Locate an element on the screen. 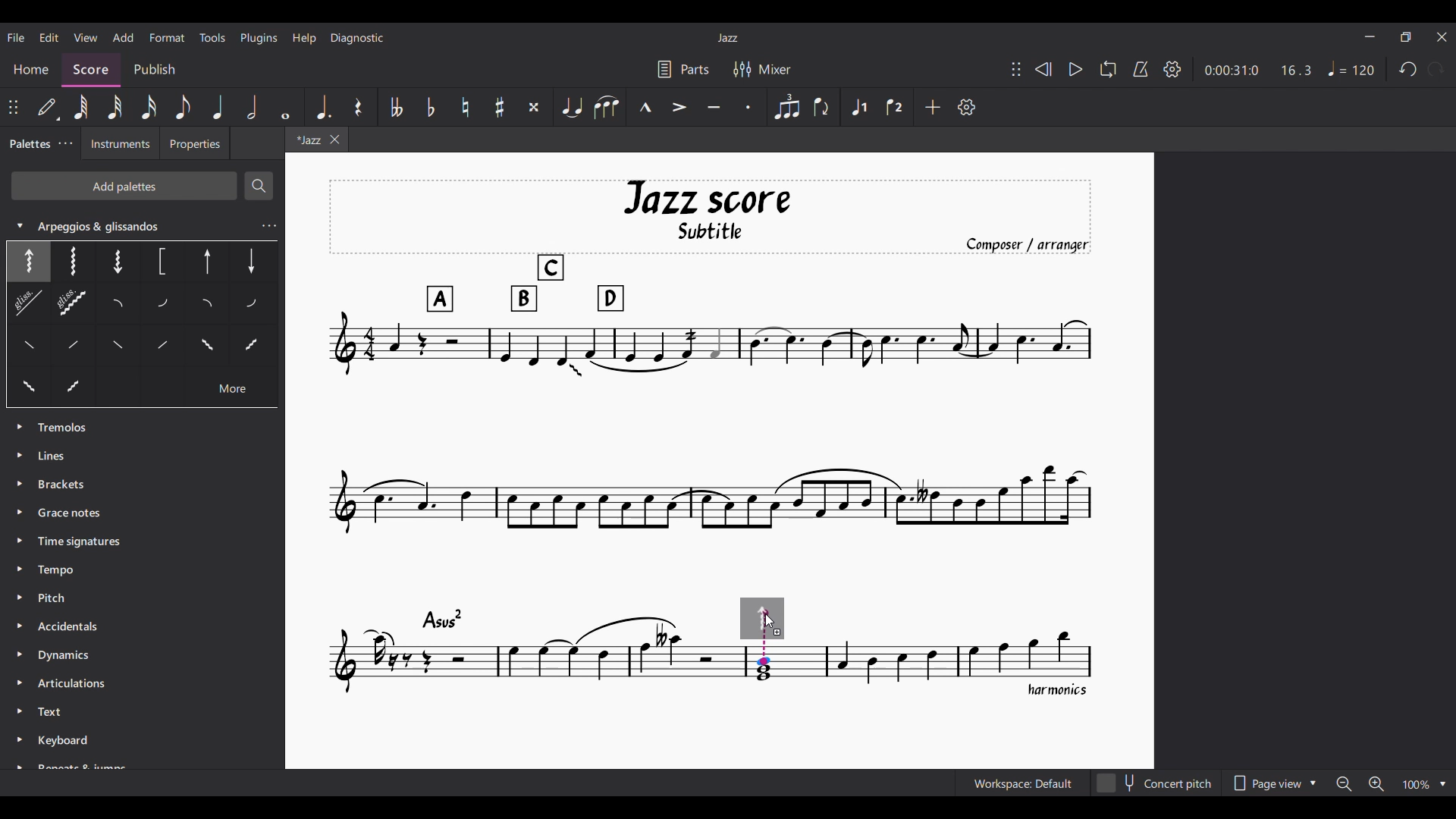 This screenshot has height=819, width=1456. Settings is located at coordinates (1172, 69).